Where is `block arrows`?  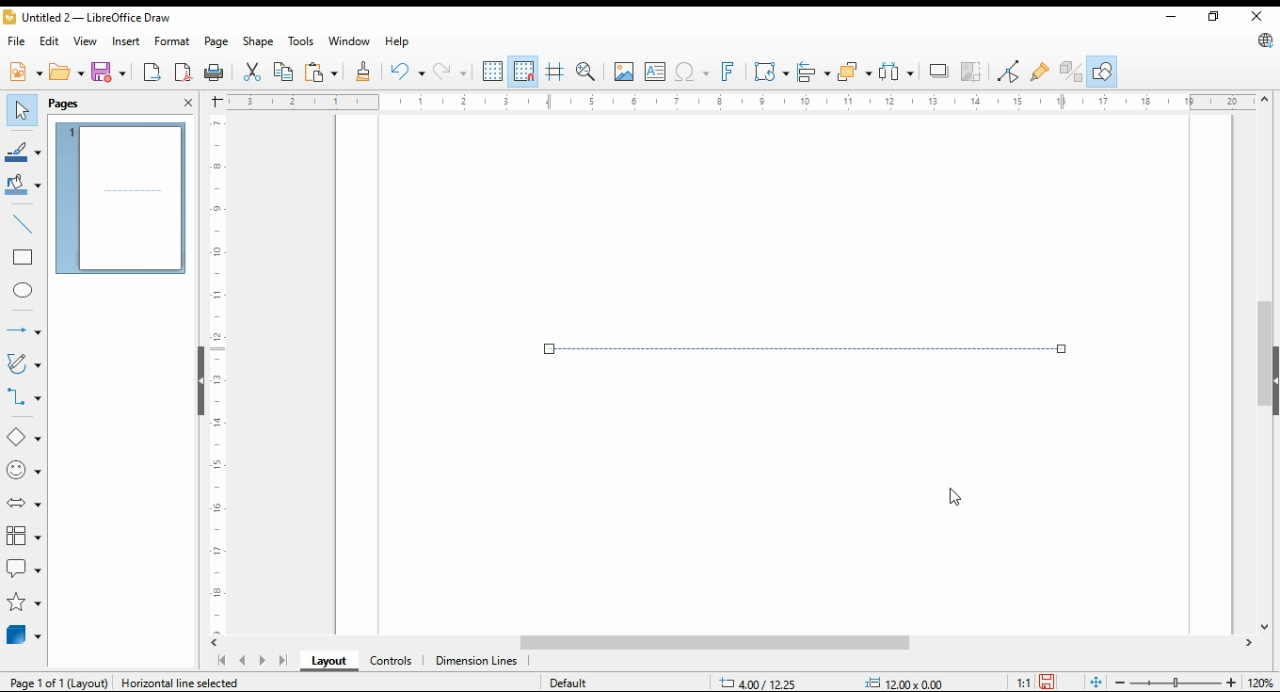 block arrows is located at coordinates (26, 503).